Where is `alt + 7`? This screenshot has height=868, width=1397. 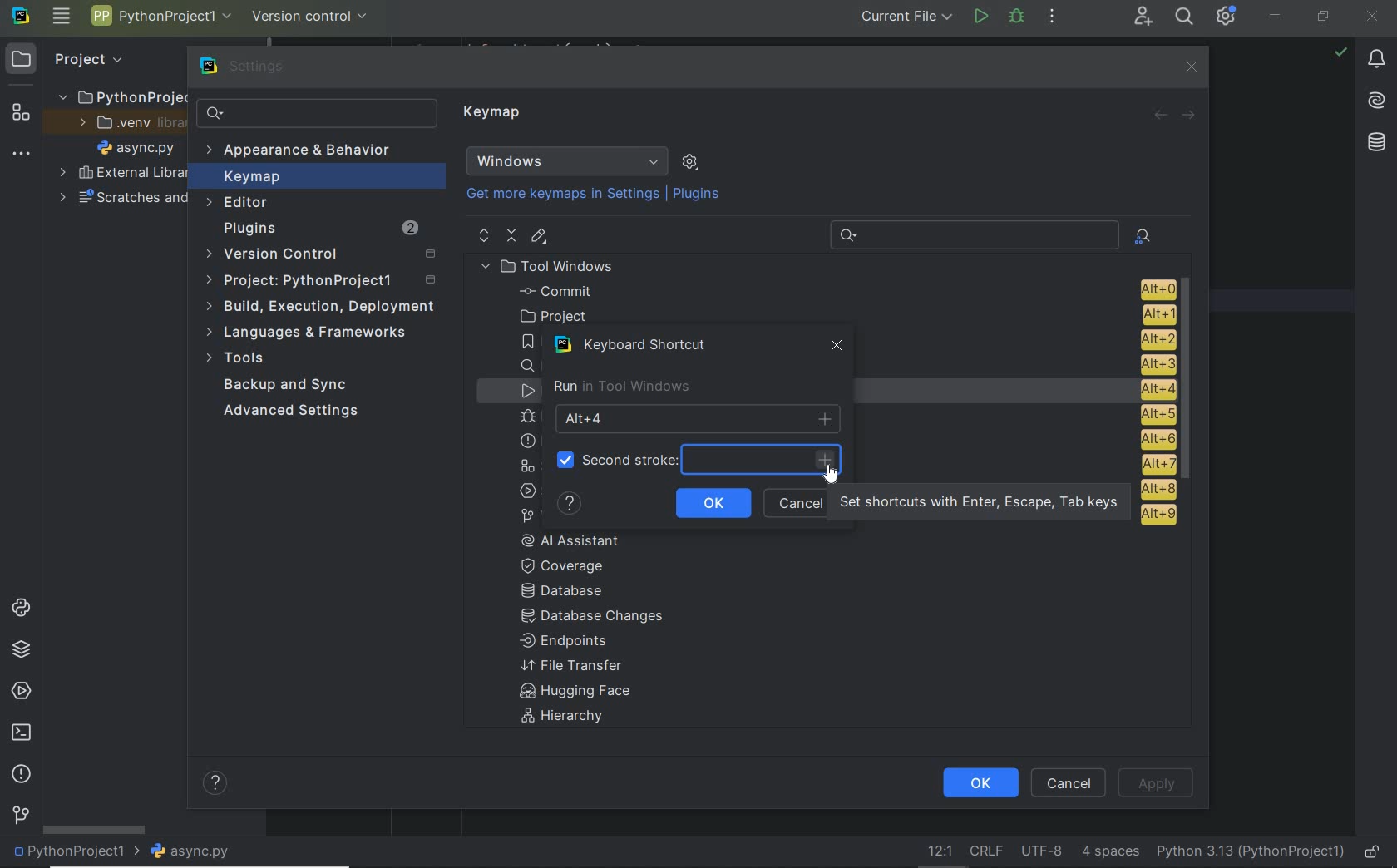 alt + 7 is located at coordinates (1158, 464).